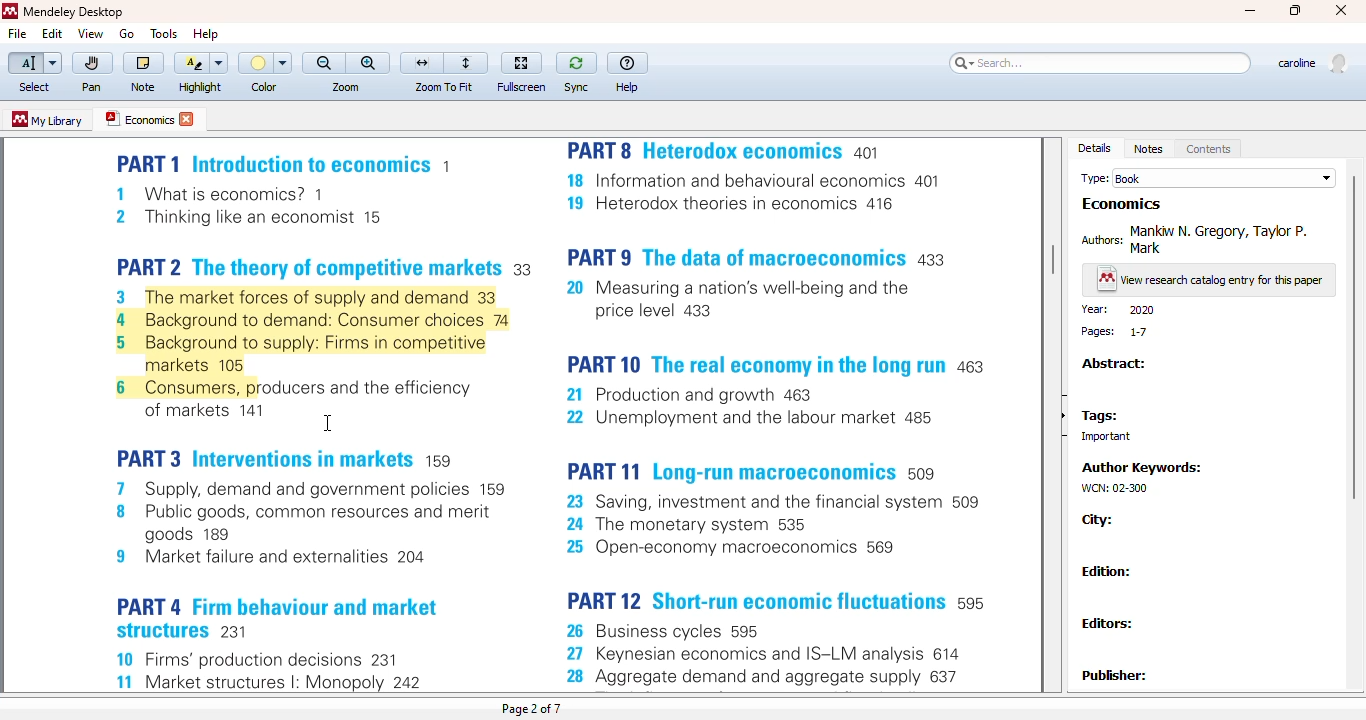 The height and width of the screenshot is (720, 1366). What do you see at coordinates (577, 64) in the screenshot?
I see `sync` at bounding box center [577, 64].